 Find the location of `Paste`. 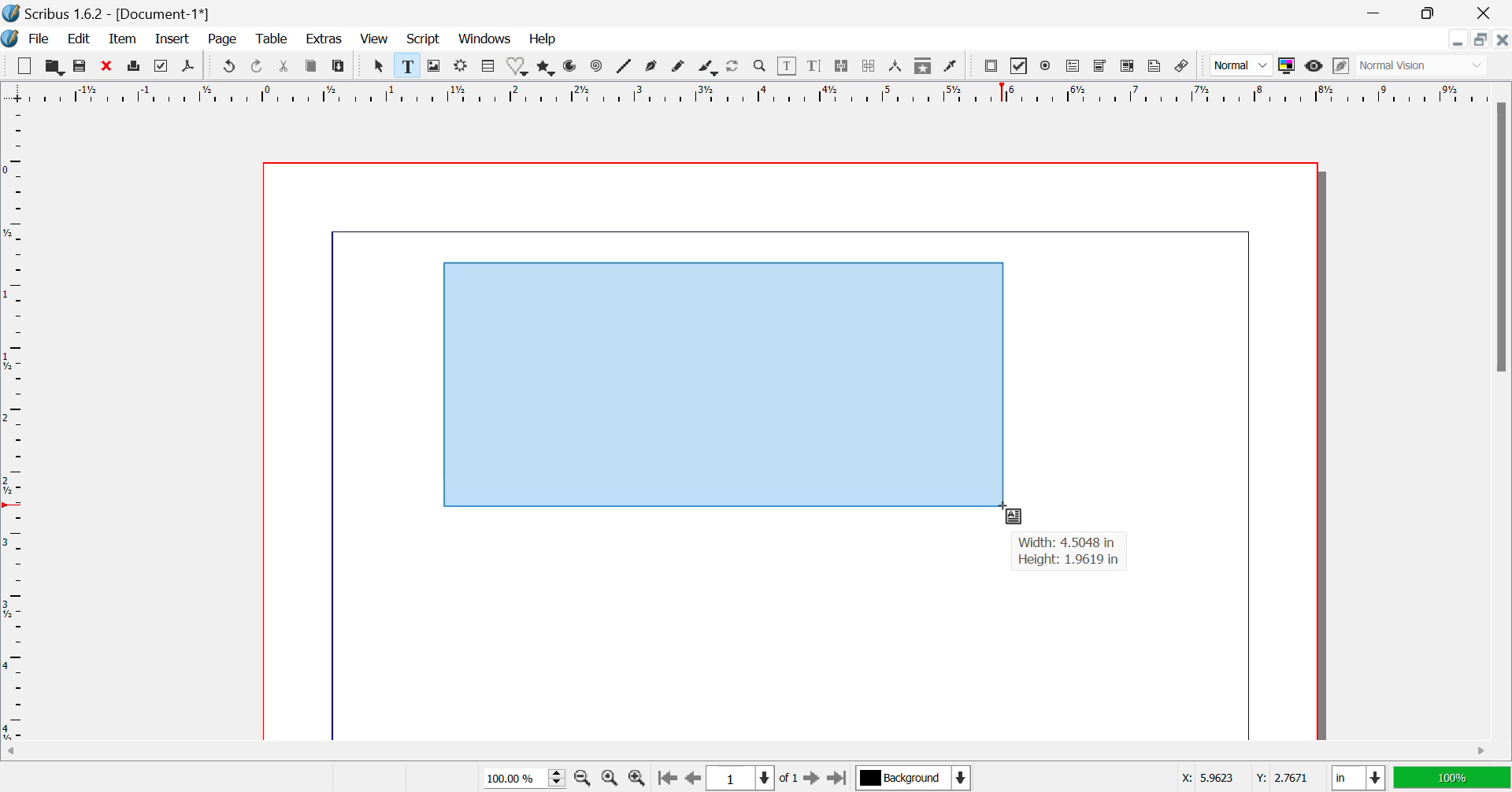

Paste is located at coordinates (339, 68).